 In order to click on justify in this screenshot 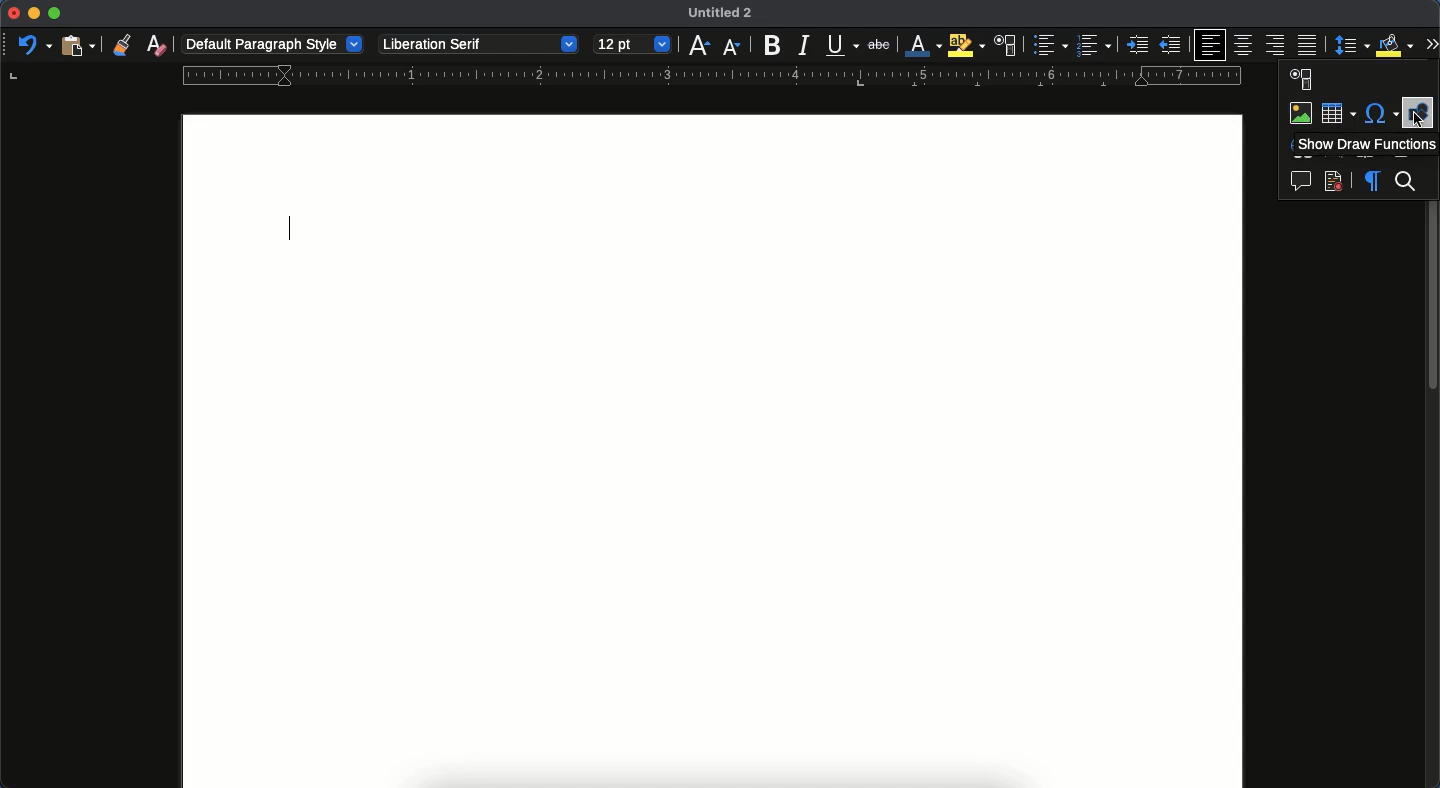, I will do `click(1309, 44)`.